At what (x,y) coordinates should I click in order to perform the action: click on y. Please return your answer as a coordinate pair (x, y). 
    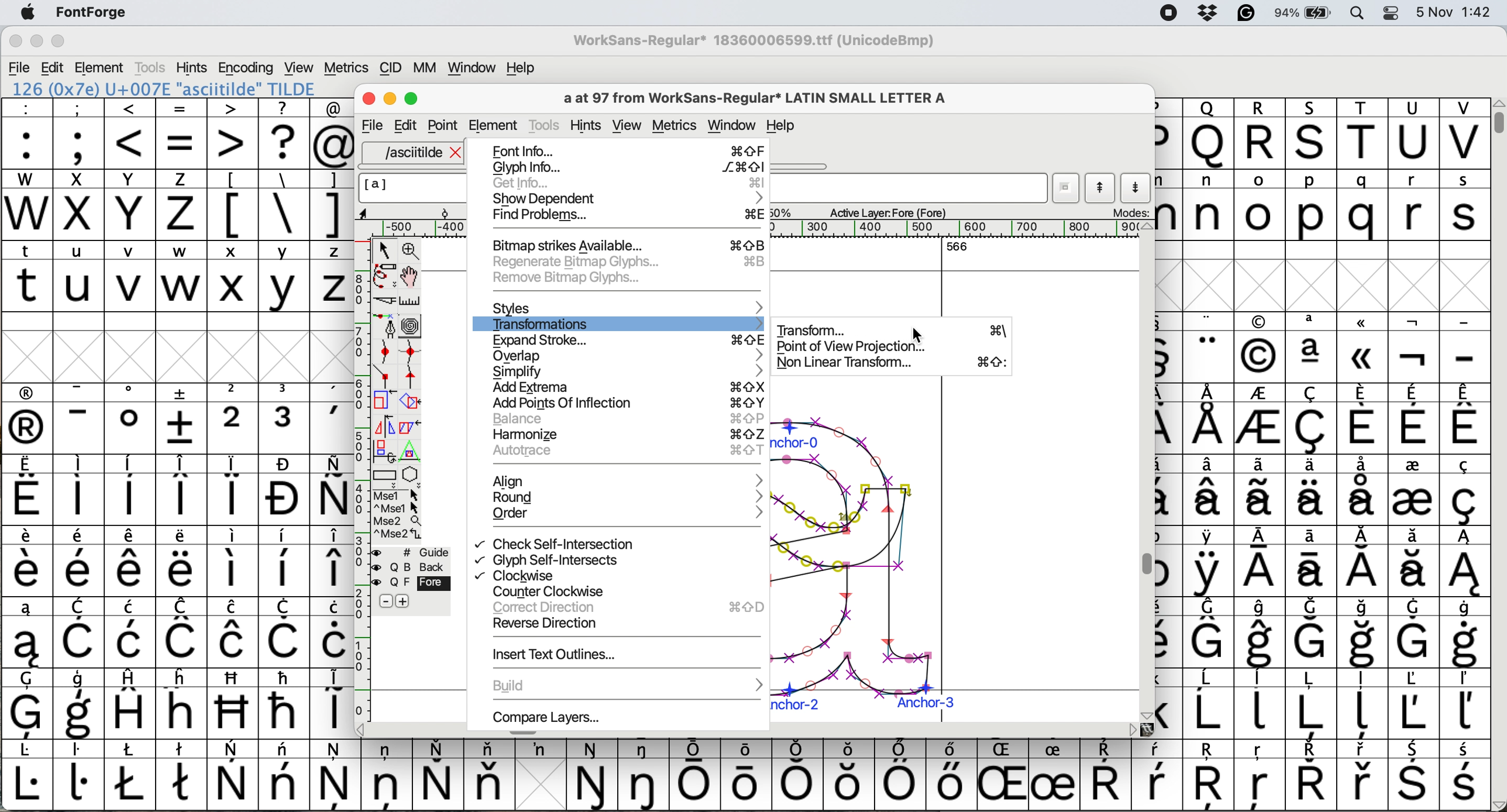
    Looking at the image, I should click on (282, 277).